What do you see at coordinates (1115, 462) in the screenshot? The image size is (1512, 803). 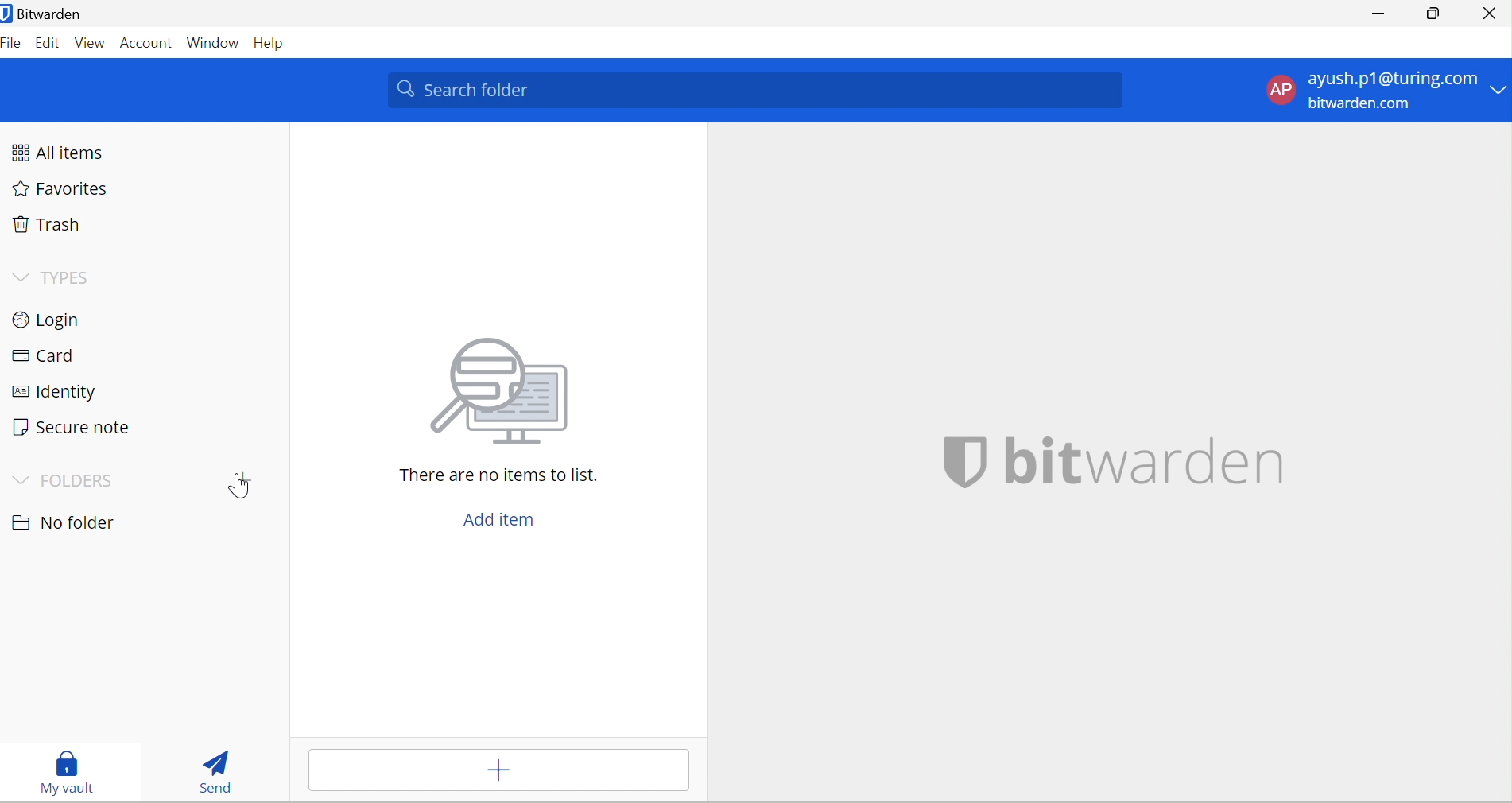 I see `bitwarden` at bounding box center [1115, 462].